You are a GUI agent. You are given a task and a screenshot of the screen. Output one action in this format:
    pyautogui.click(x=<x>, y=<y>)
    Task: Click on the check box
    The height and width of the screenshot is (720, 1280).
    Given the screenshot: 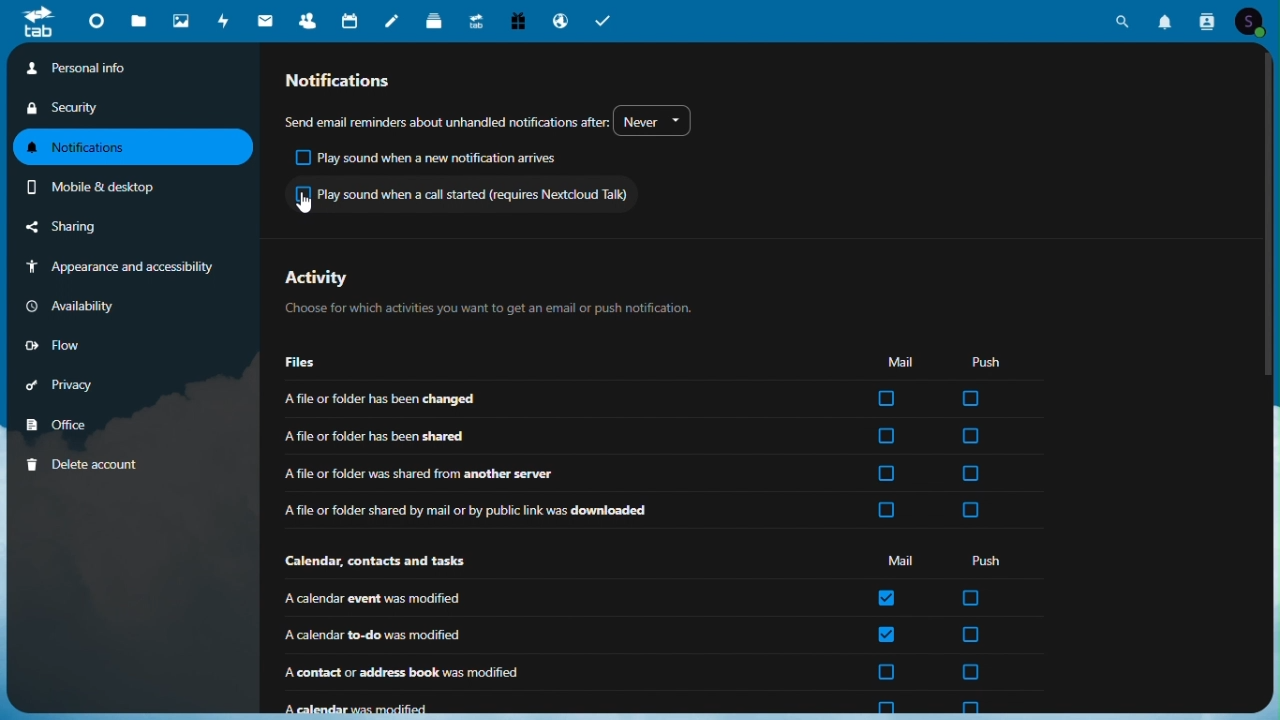 What is the action you would take?
    pyautogui.click(x=884, y=511)
    